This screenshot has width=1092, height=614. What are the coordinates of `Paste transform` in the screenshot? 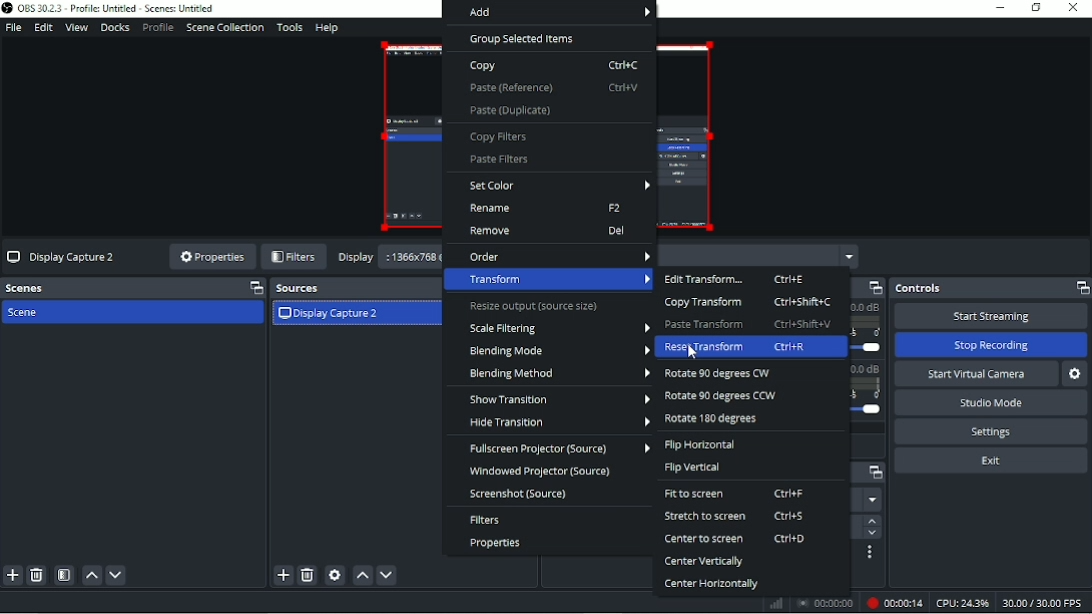 It's located at (749, 324).